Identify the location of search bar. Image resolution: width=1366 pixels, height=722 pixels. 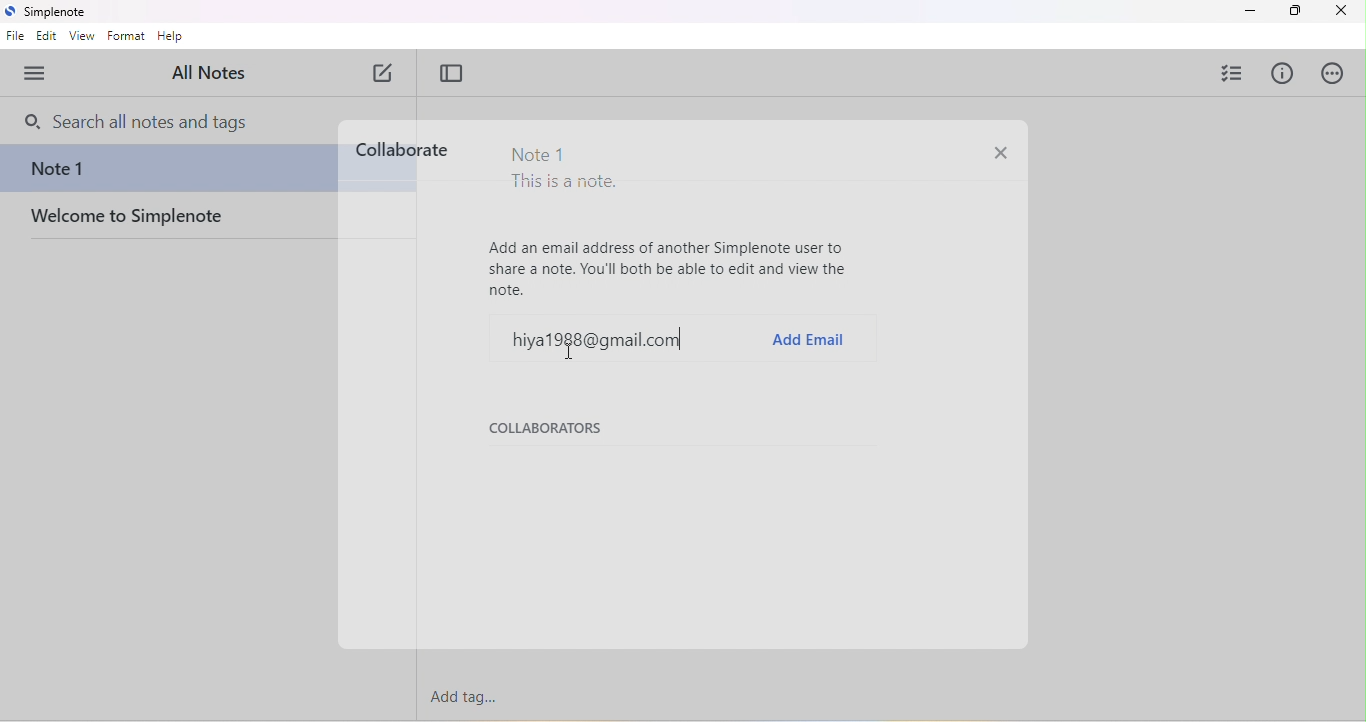
(148, 122).